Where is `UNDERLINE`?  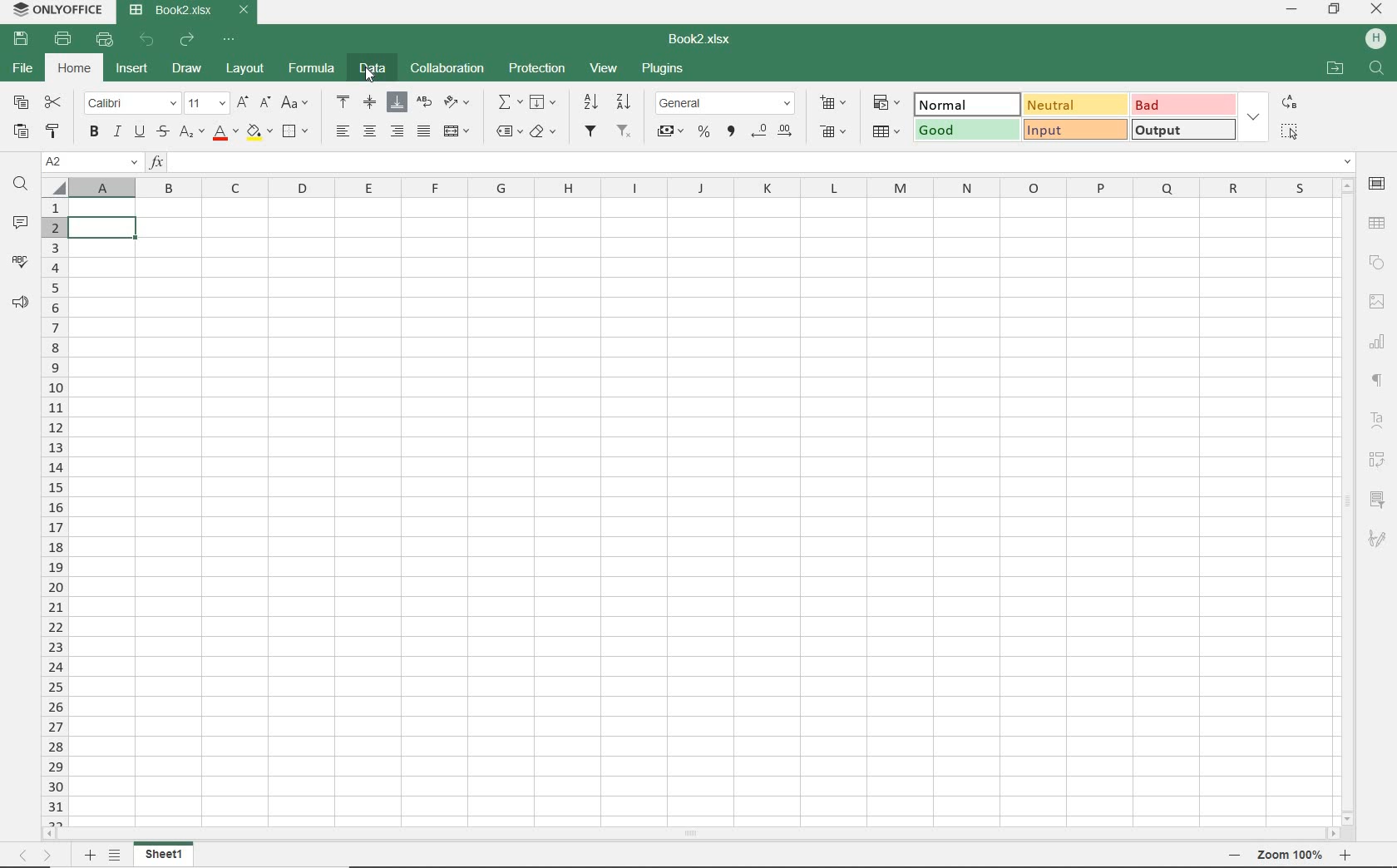 UNDERLINE is located at coordinates (138, 132).